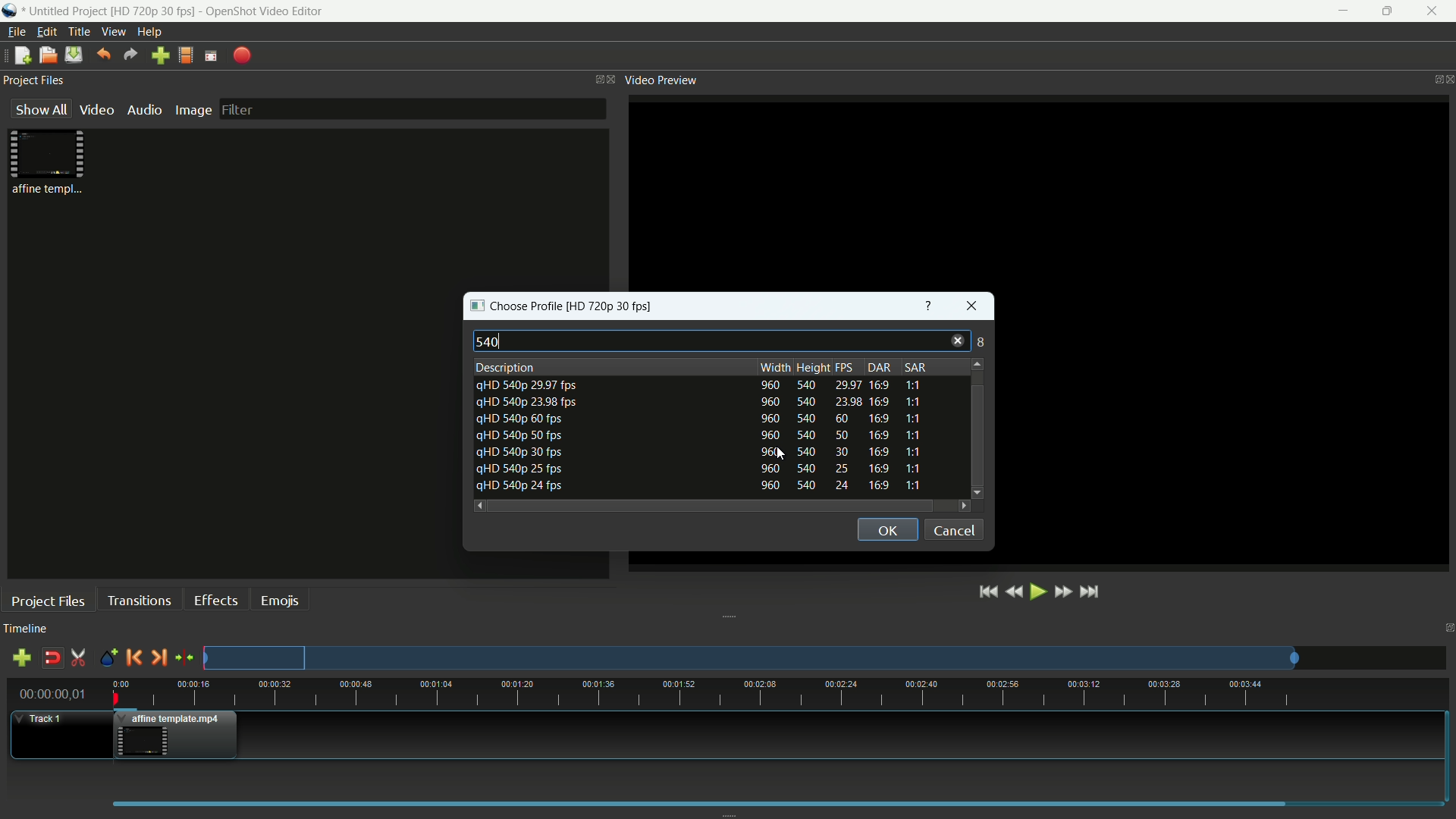 This screenshot has height=819, width=1456. Describe the element at coordinates (702, 435) in the screenshot. I see `profile-4` at that location.